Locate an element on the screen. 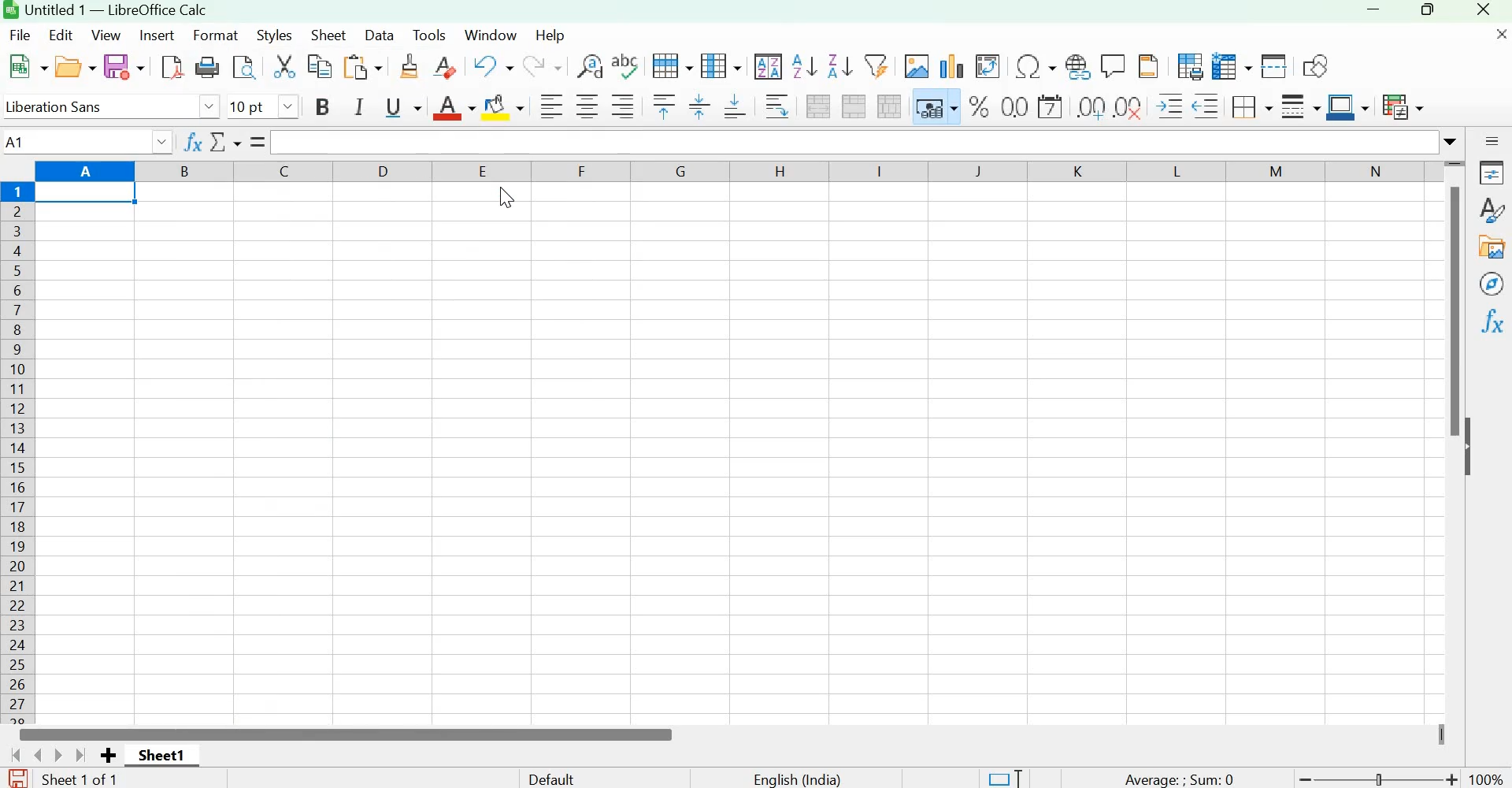 This screenshot has height=788, width=1512. Default is located at coordinates (566, 777).